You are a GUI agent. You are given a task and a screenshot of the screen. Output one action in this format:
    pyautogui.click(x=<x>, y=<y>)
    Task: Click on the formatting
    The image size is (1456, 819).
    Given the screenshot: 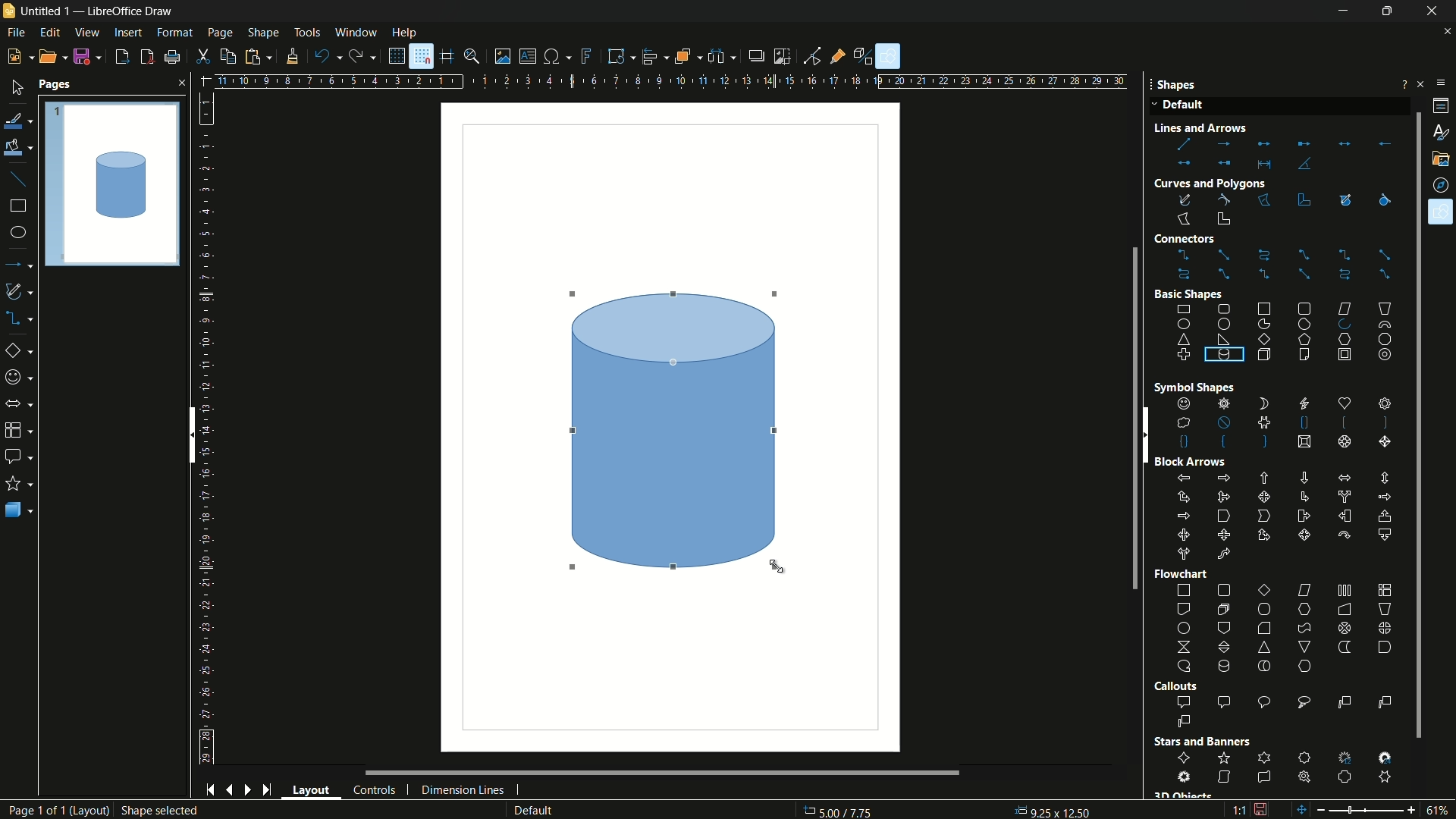 What is the action you would take?
    pyautogui.click(x=294, y=56)
    